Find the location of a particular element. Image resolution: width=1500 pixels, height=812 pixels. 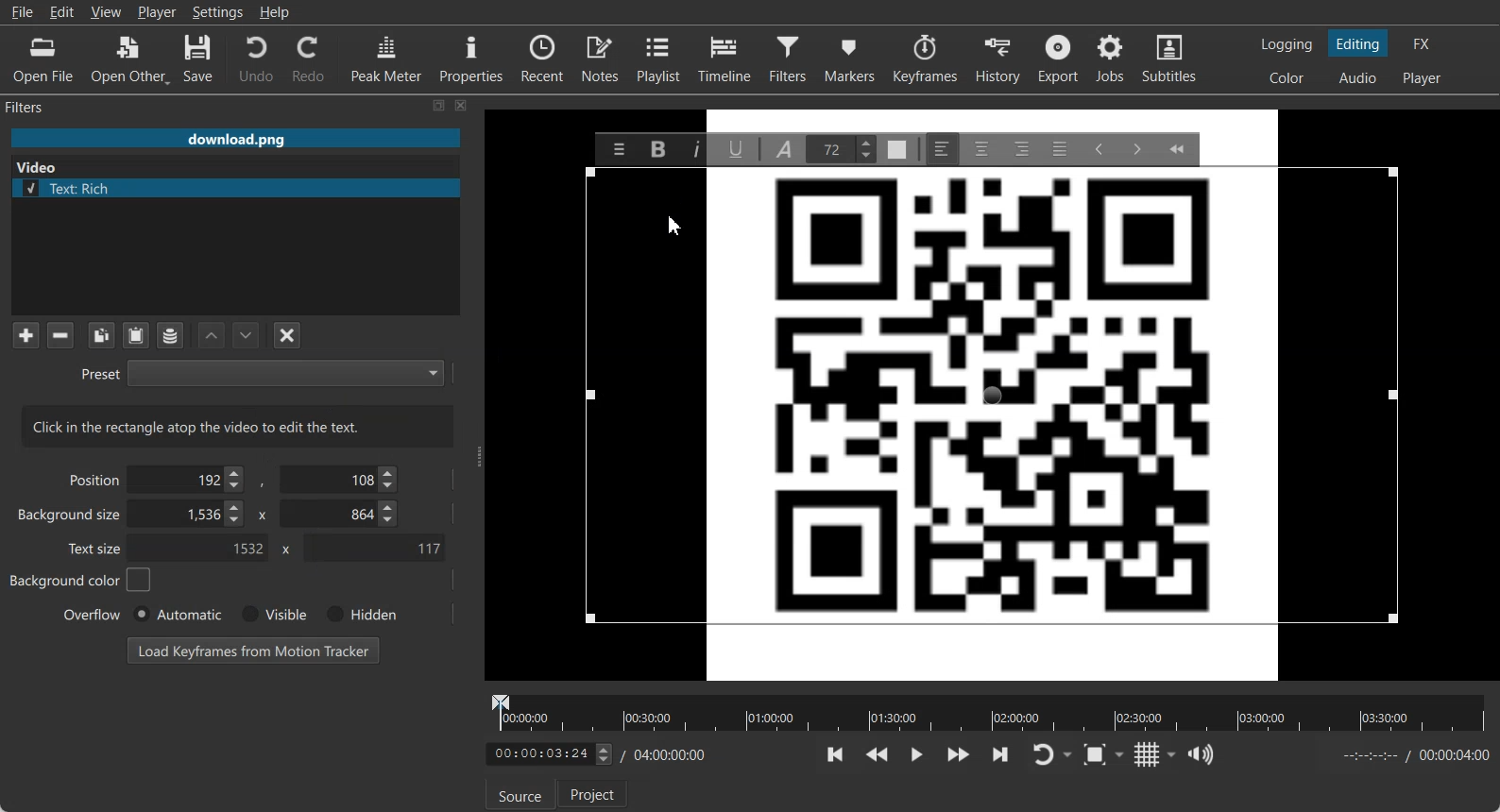

Background size Y- Co-ordinate is located at coordinates (341, 516).